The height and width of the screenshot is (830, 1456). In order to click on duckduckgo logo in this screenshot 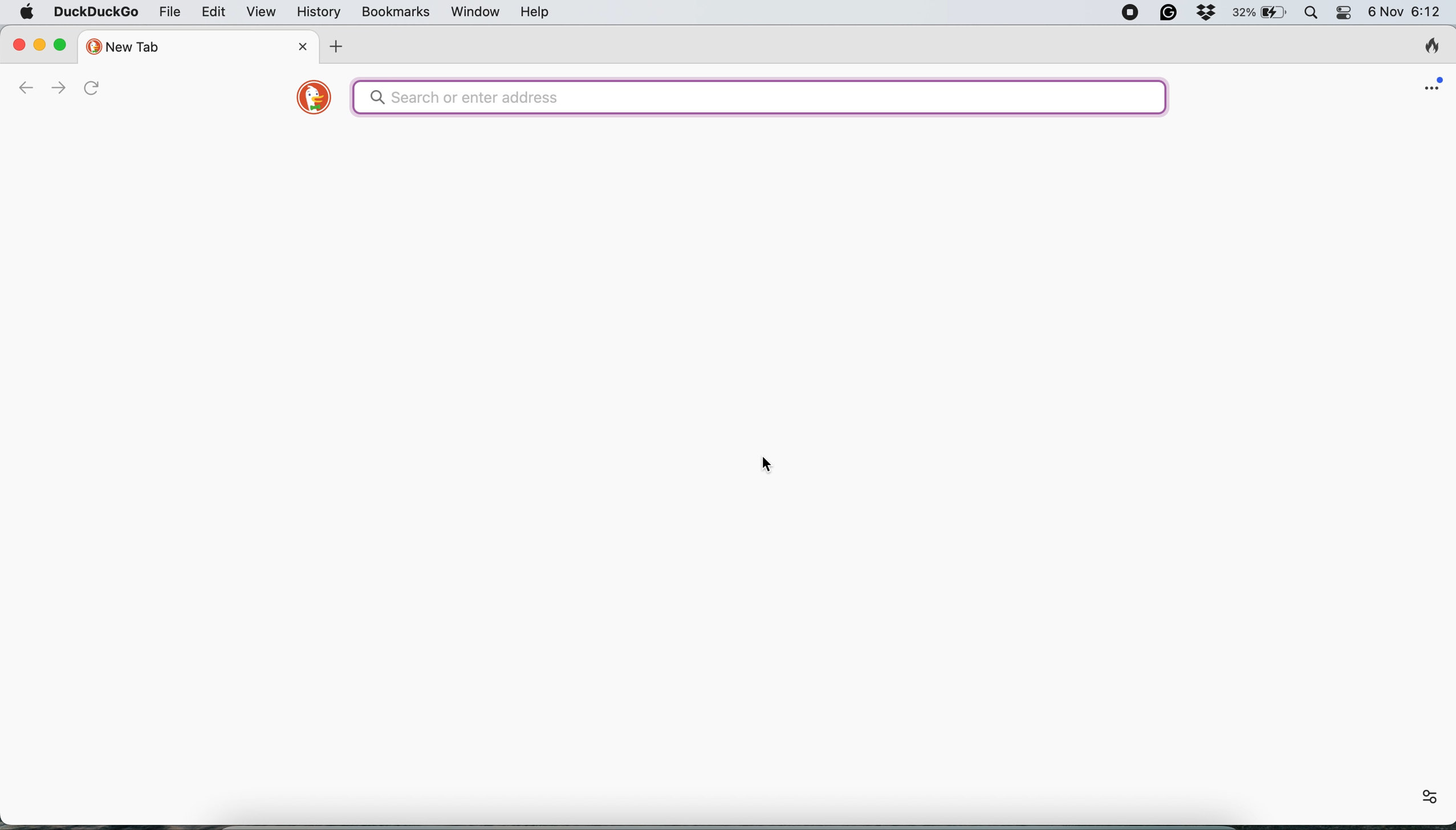, I will do `click(310, 99)`.